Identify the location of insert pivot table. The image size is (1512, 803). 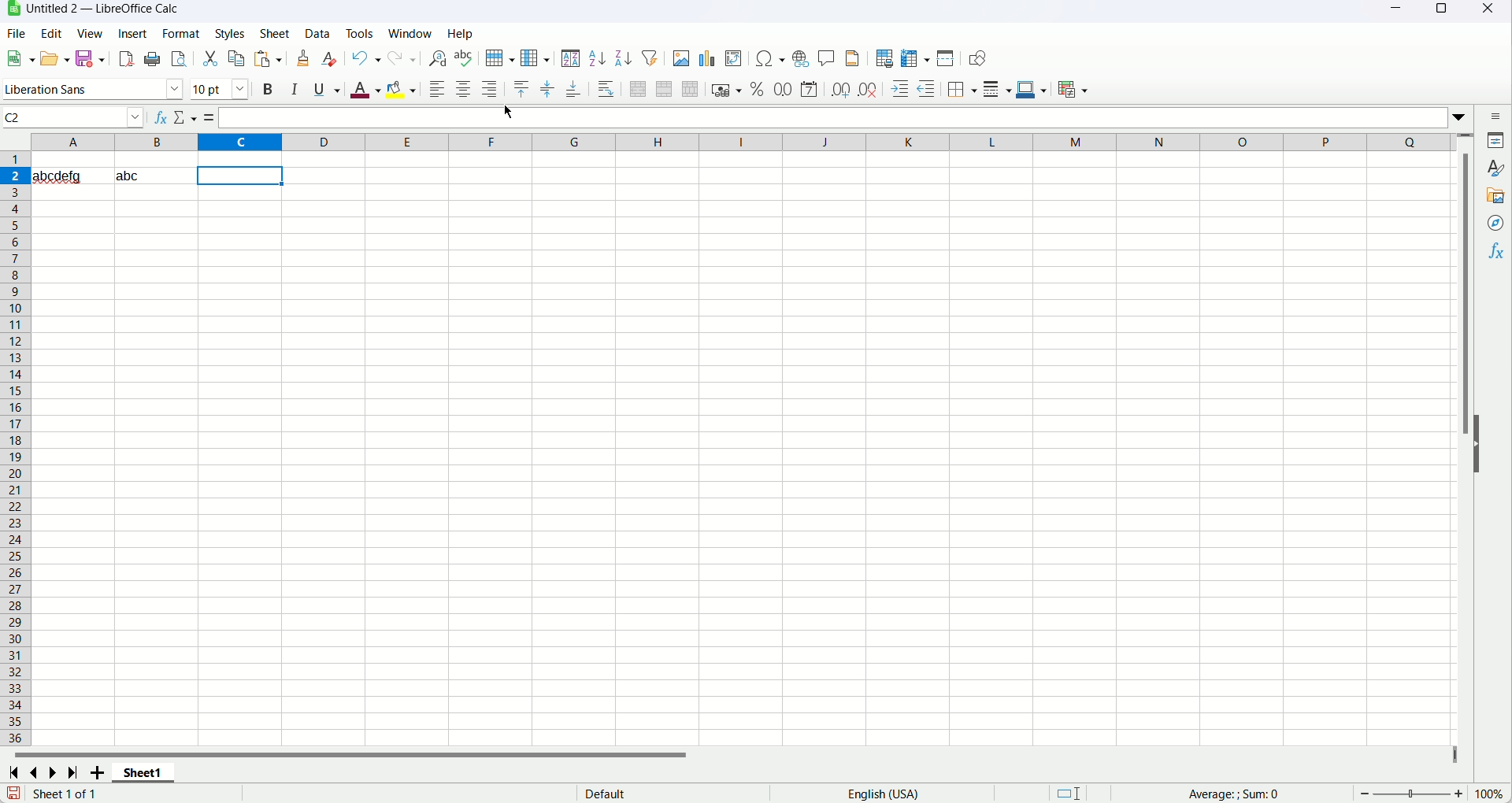
(732, 58).